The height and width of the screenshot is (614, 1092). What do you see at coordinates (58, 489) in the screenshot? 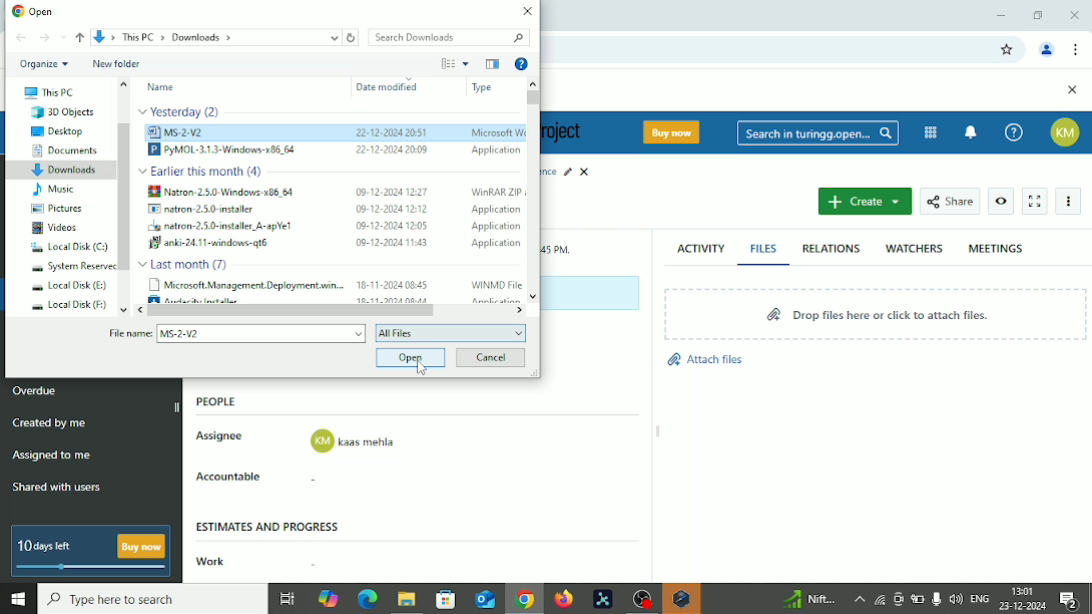
I see `Shared with users` at bounding box center [58, 489].